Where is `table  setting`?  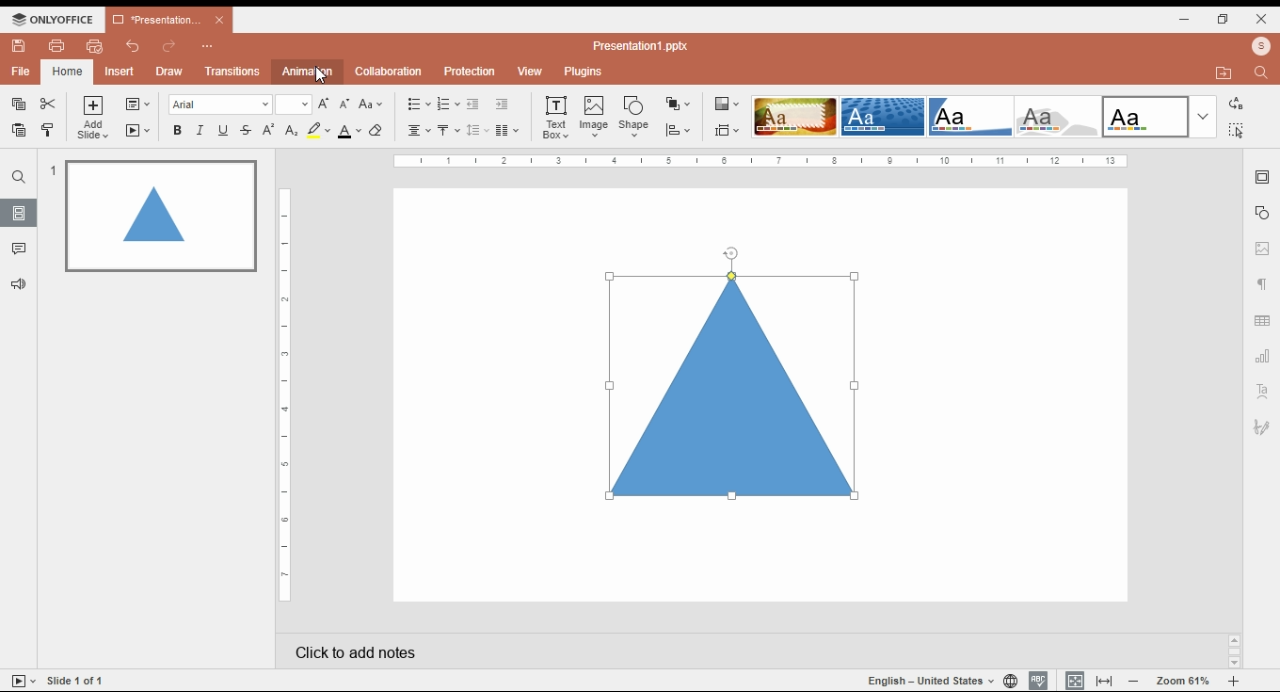 table  setting is located at coordinates (1260, 319).